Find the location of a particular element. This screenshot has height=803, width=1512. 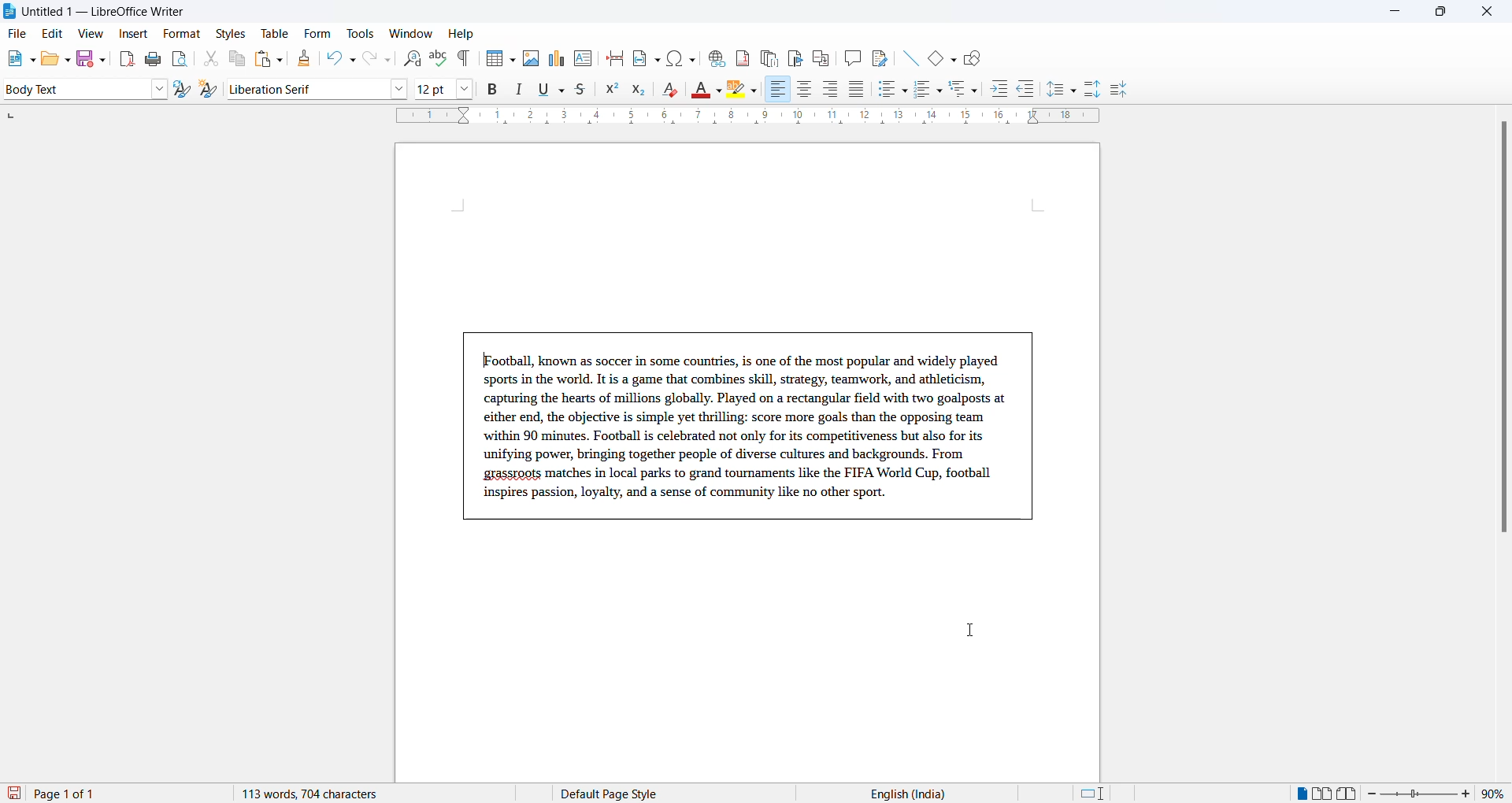

insert special character is located at coordinates (680, 56).